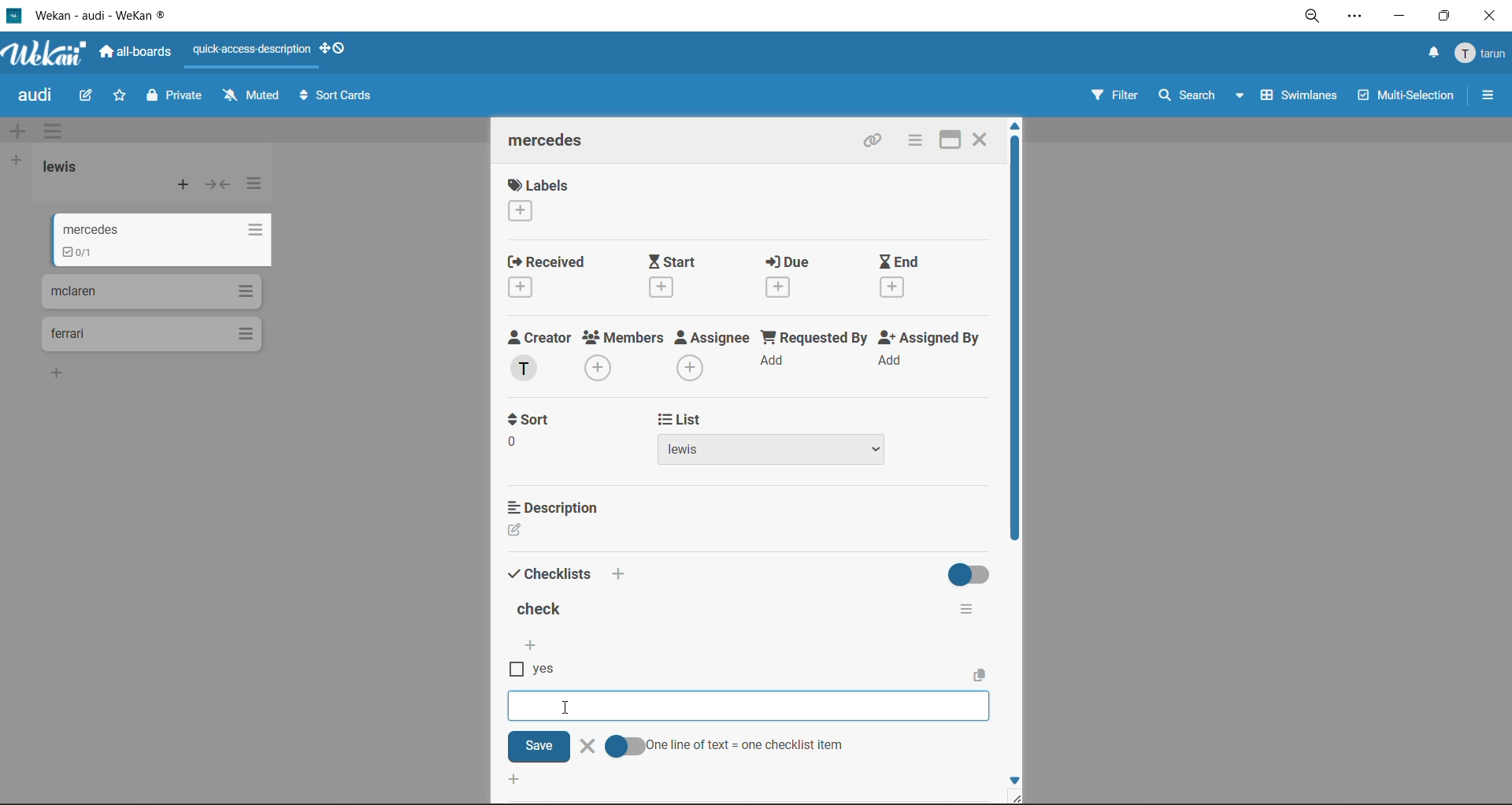 This screenshot has width=1512, height=805. What do you see at coordinates (619, 574) in the screenshot?
I see `add` at bounding box center [619, 574].